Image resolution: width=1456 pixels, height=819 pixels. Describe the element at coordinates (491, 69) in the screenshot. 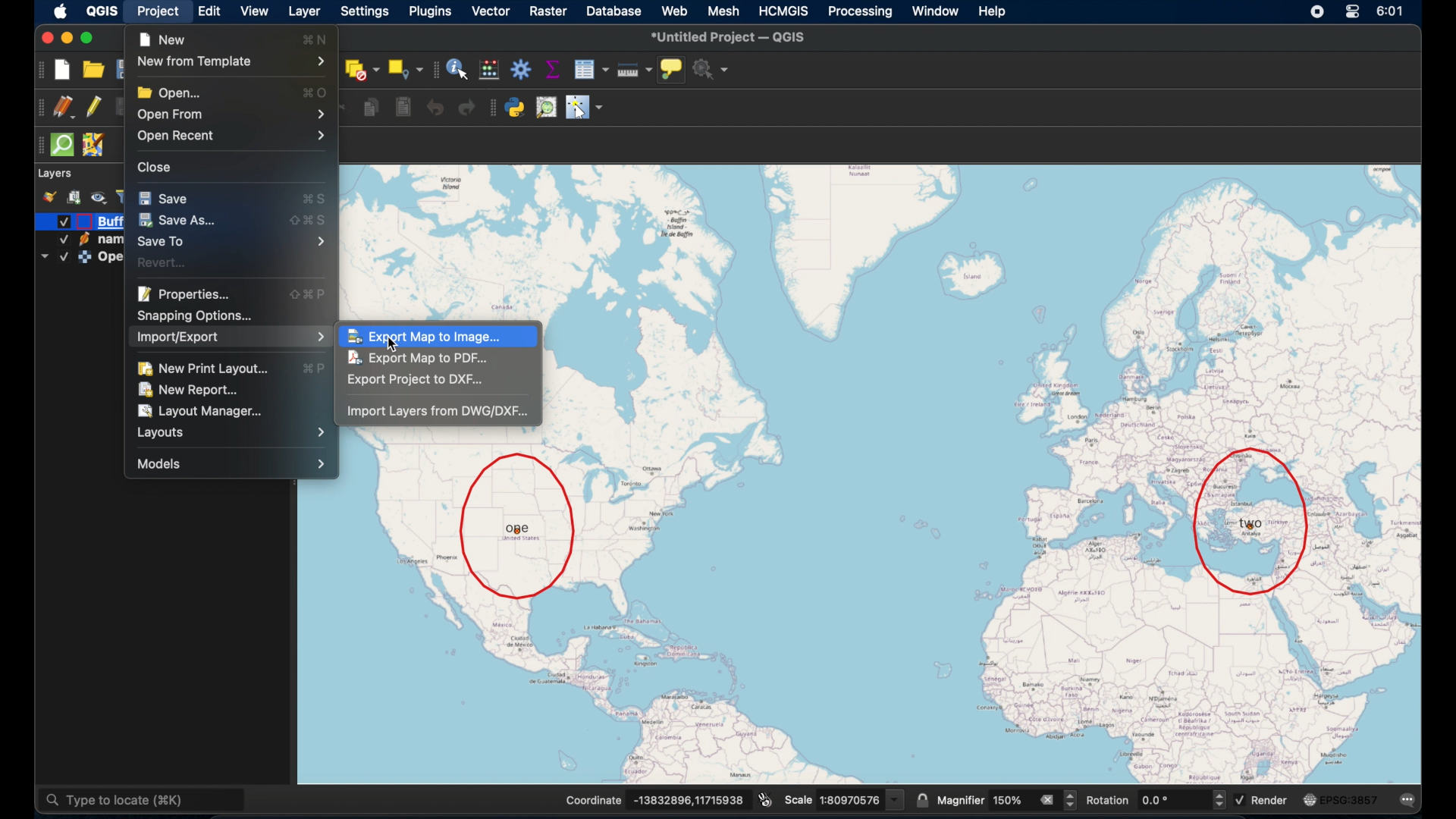

I see `open field calculator` at that location.